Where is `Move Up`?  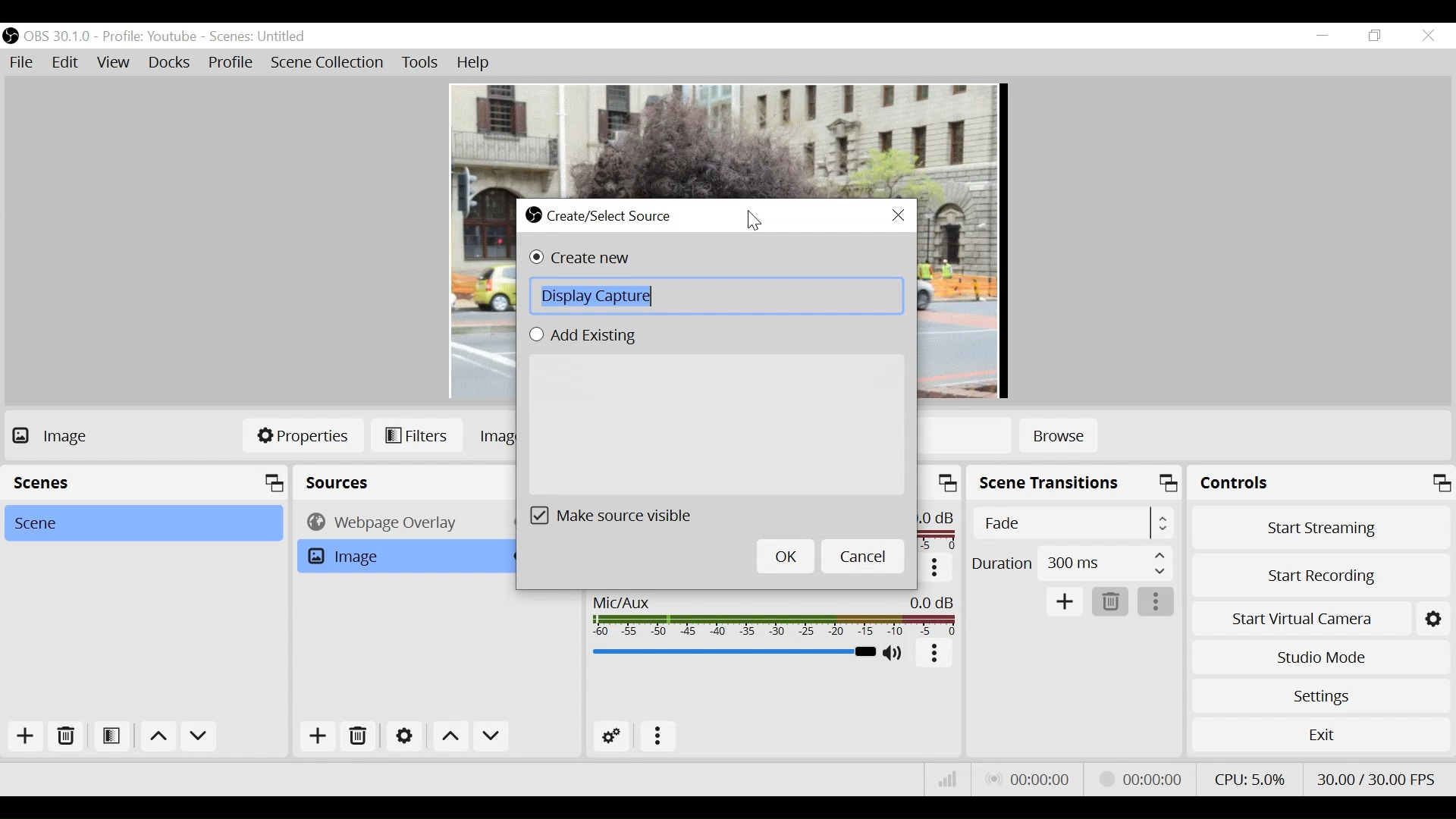
Move Up is located at coordinates (157, 738).